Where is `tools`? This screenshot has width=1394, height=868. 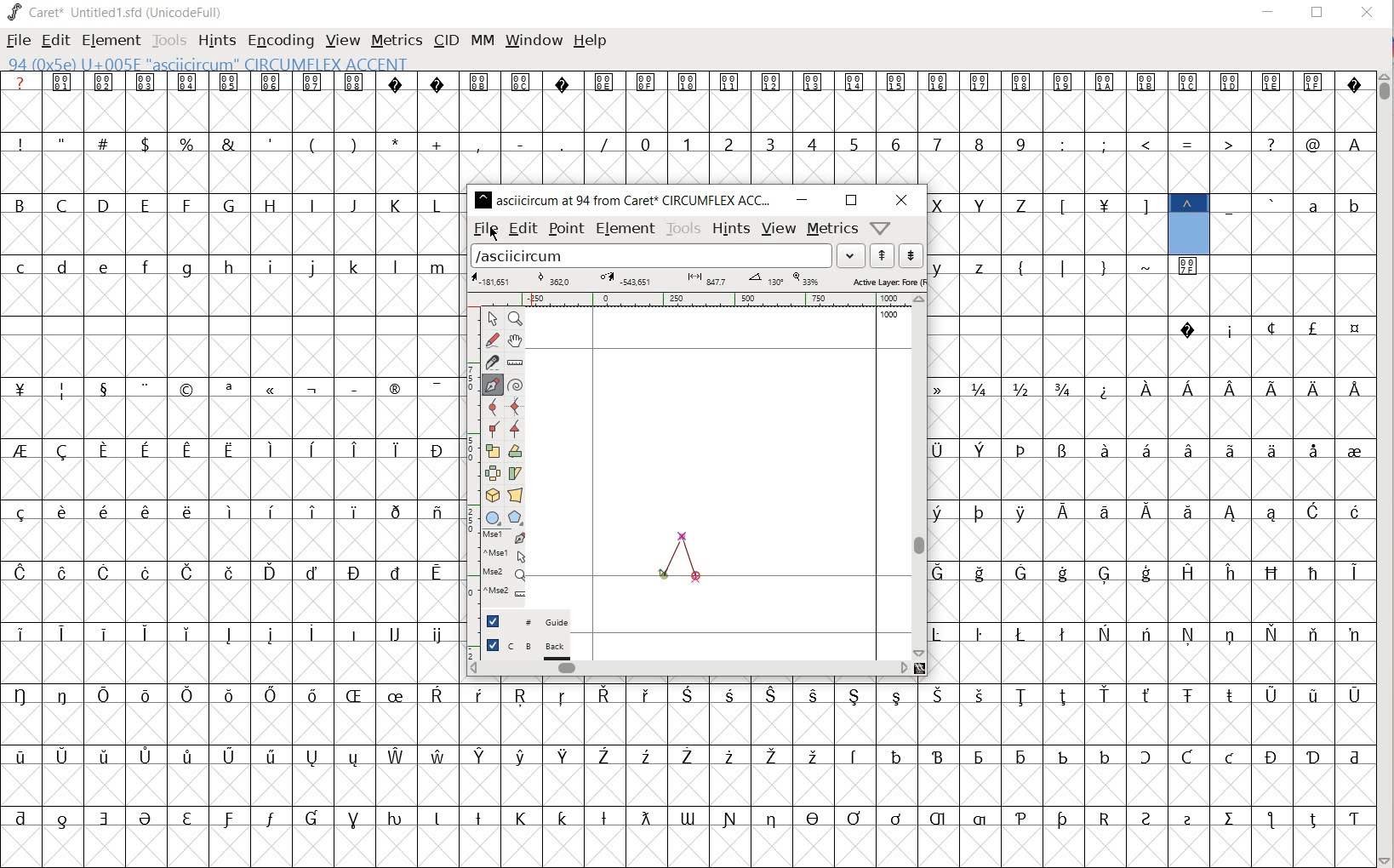 tools is located at coordinates (684, 228).